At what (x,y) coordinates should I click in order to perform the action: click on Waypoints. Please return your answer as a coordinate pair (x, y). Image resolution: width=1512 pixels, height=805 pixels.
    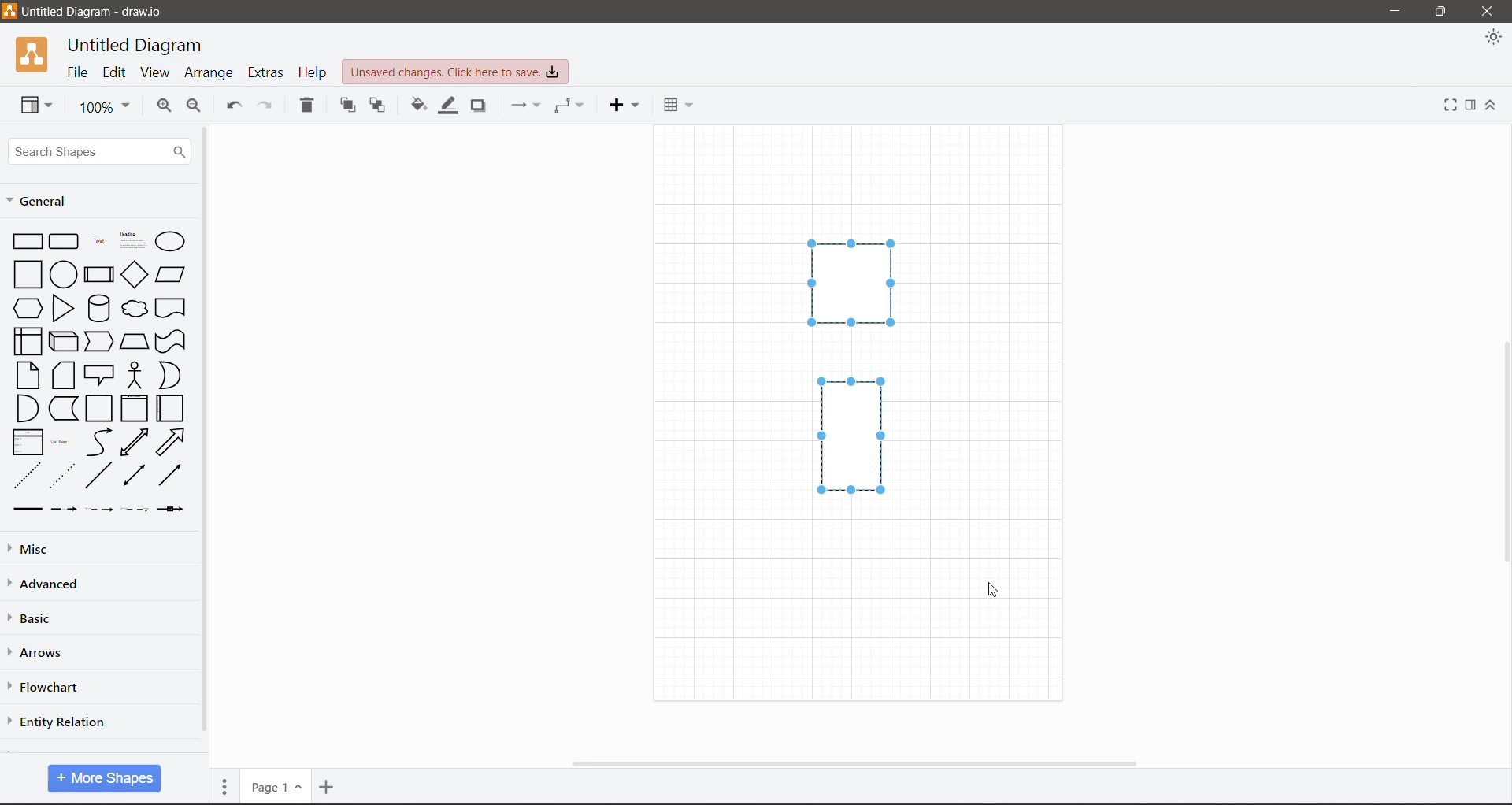
    Looking at the image, I should click on (569, 107).